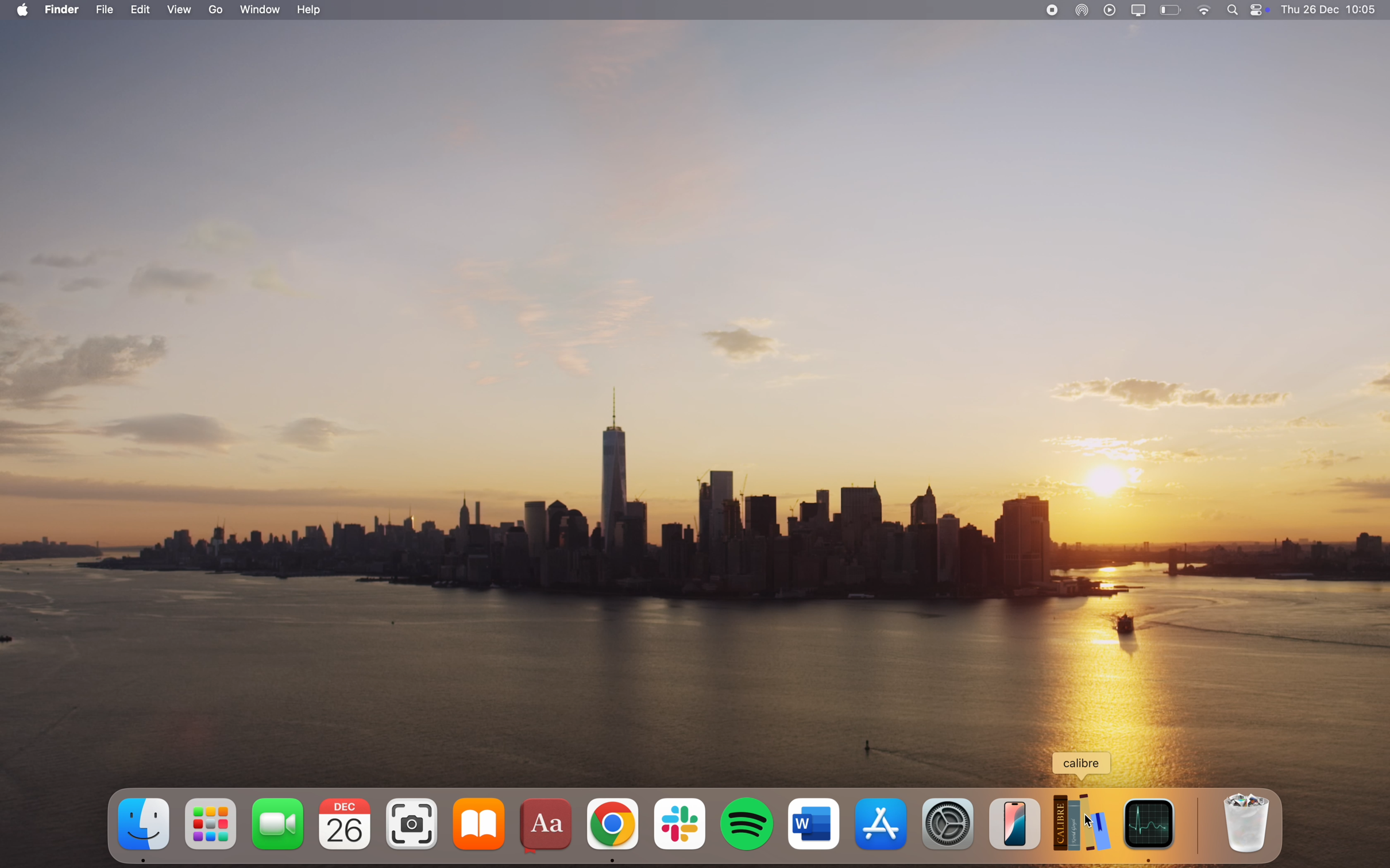 The height and width of the screenshot is (868, 1390). Describe the element at coordinates (1083, 10) in the screenshot. I see `AirDrop` at that location.